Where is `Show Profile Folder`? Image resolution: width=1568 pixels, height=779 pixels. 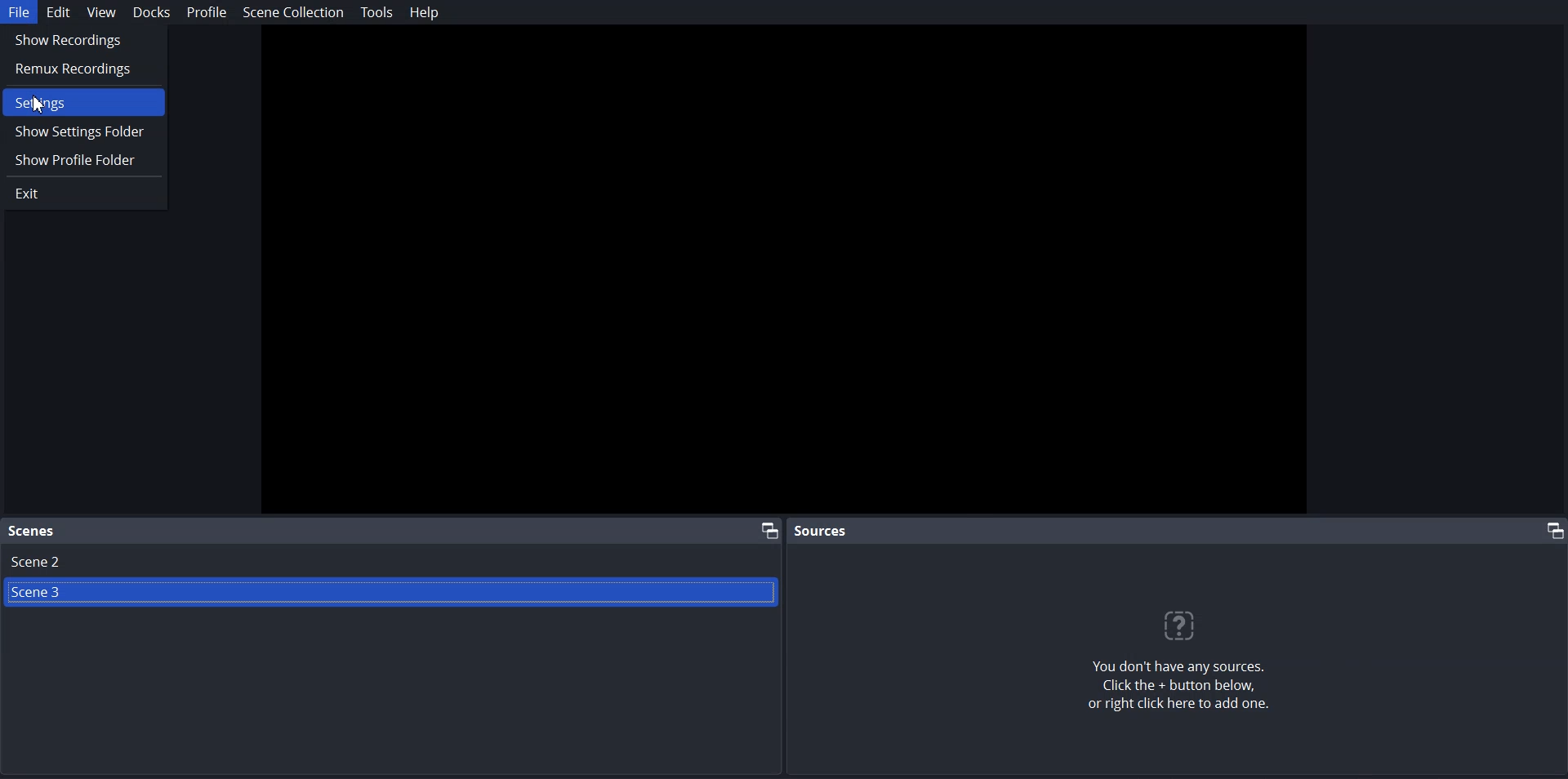
Show Profile Folder is located at coordinates (83, 158).